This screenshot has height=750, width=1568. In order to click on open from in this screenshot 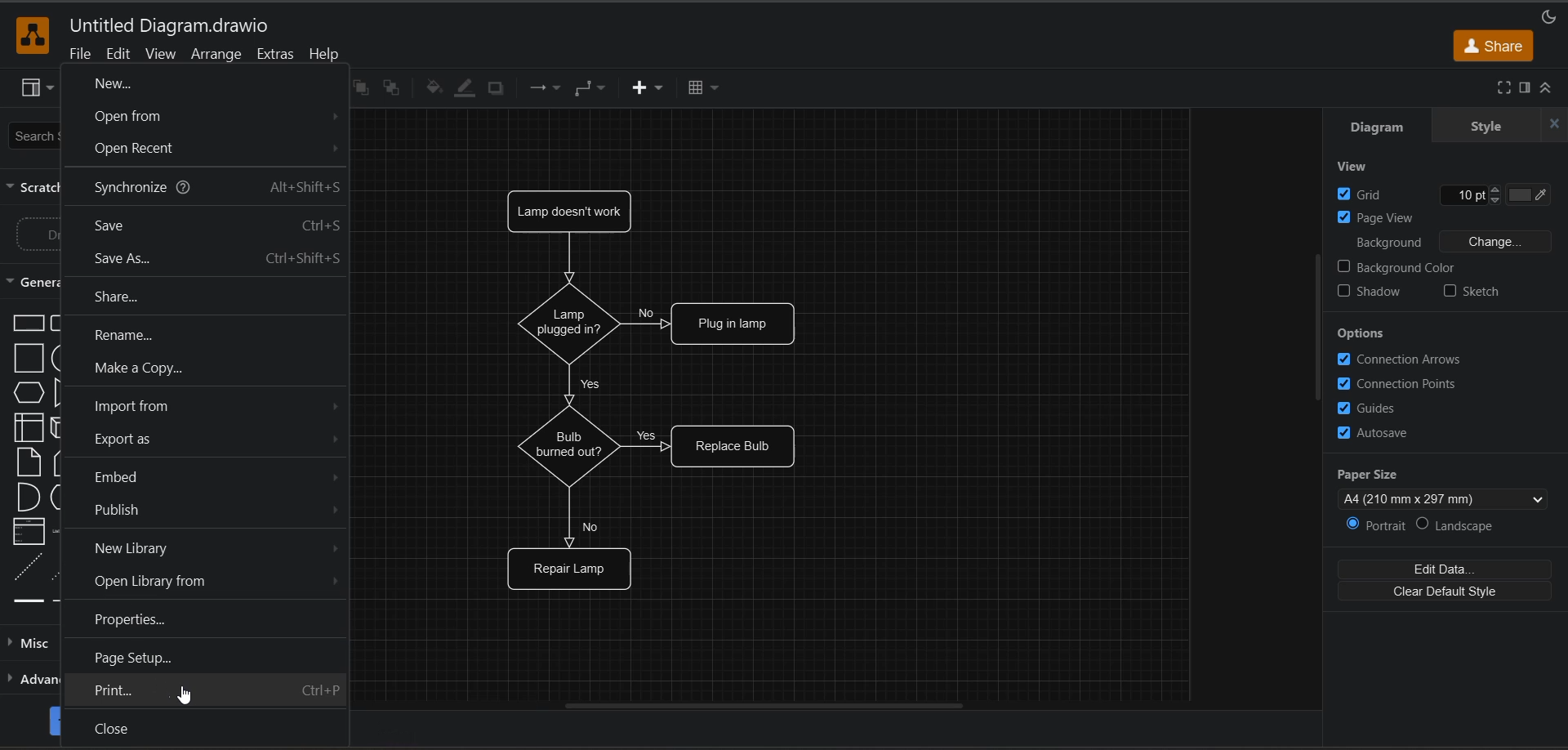, I will do `click(217, 114)`.